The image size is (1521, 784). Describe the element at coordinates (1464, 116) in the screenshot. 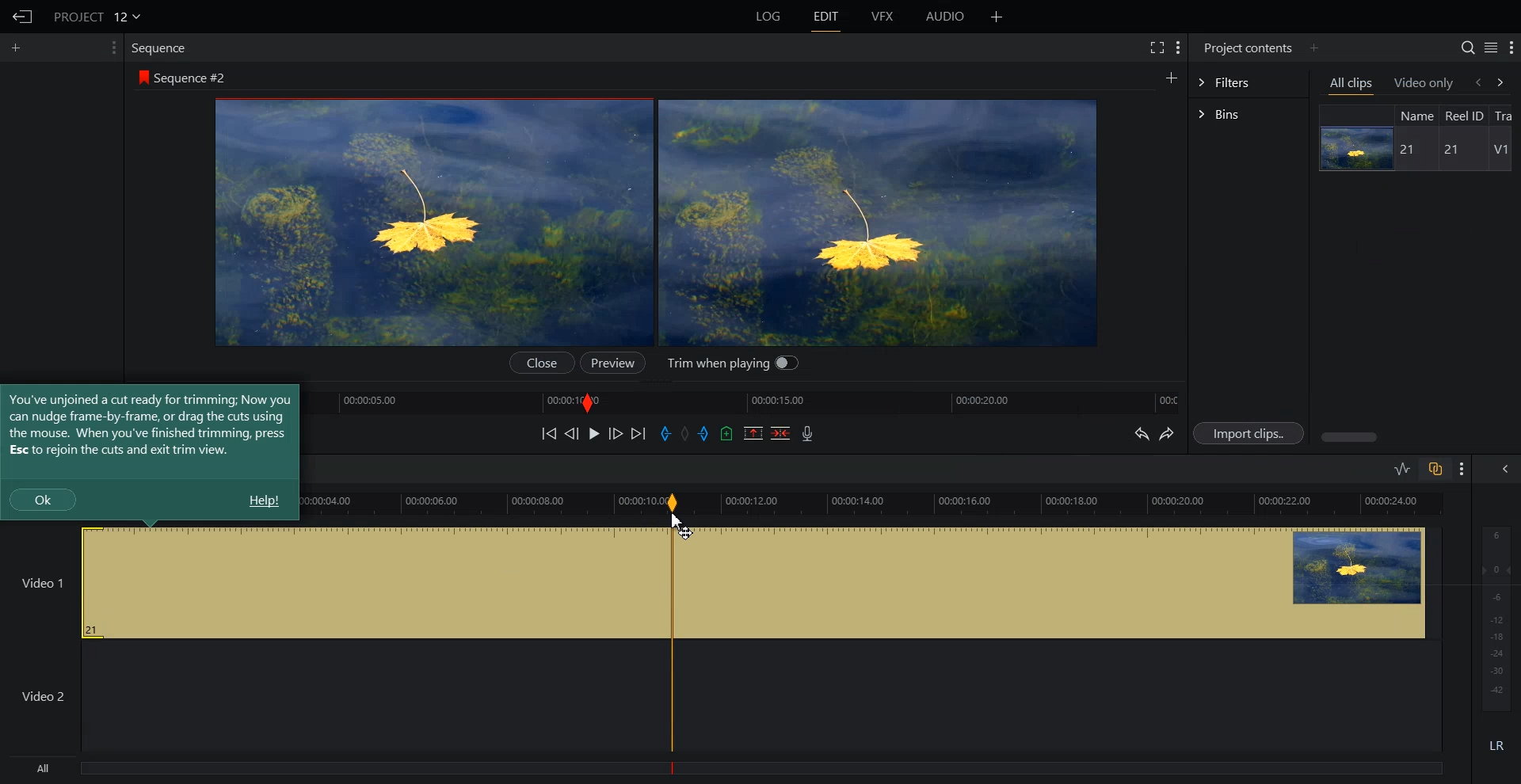

I see `Reel ID` at that location.